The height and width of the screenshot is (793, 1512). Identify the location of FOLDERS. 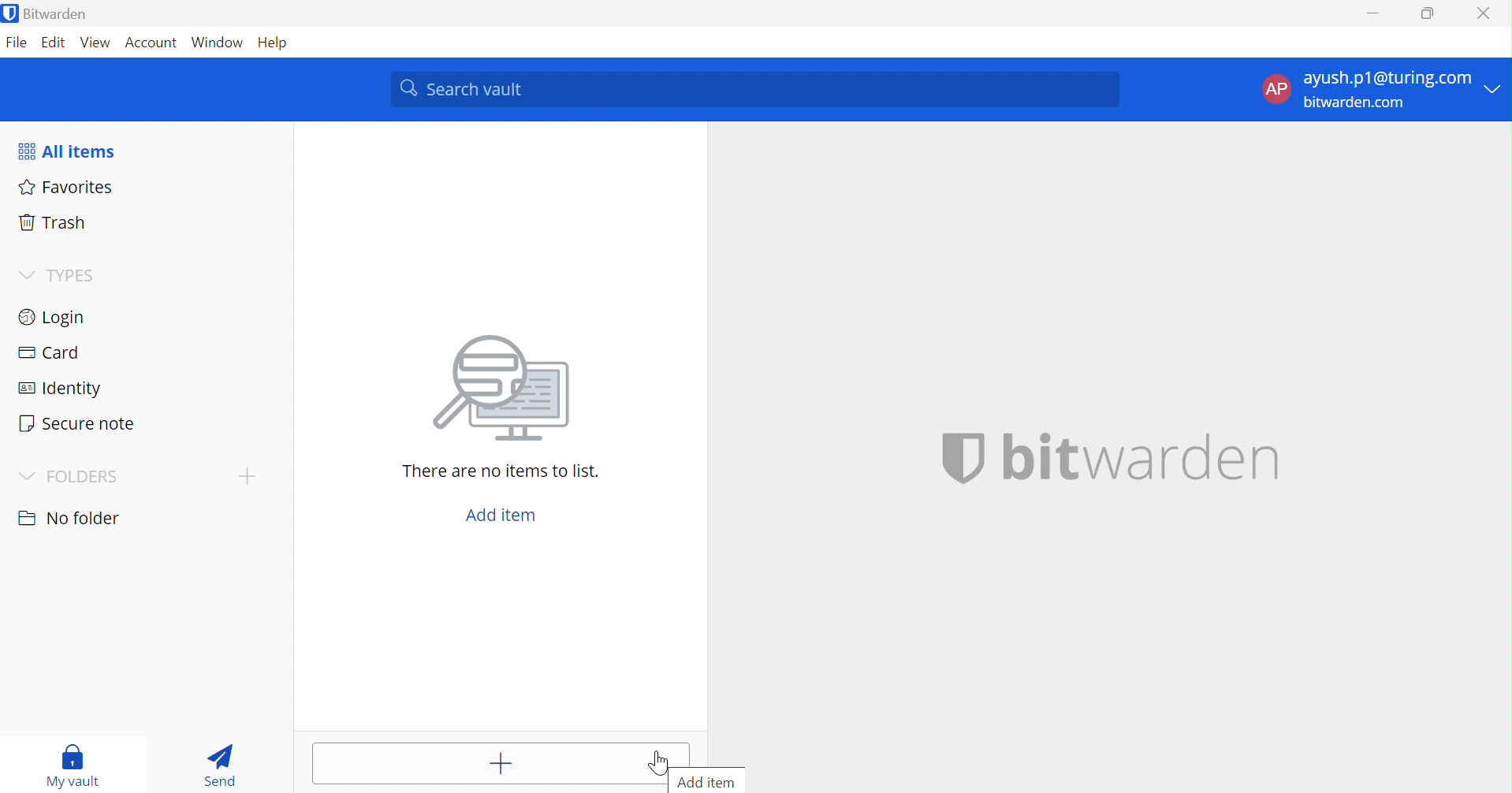
(84, 478).